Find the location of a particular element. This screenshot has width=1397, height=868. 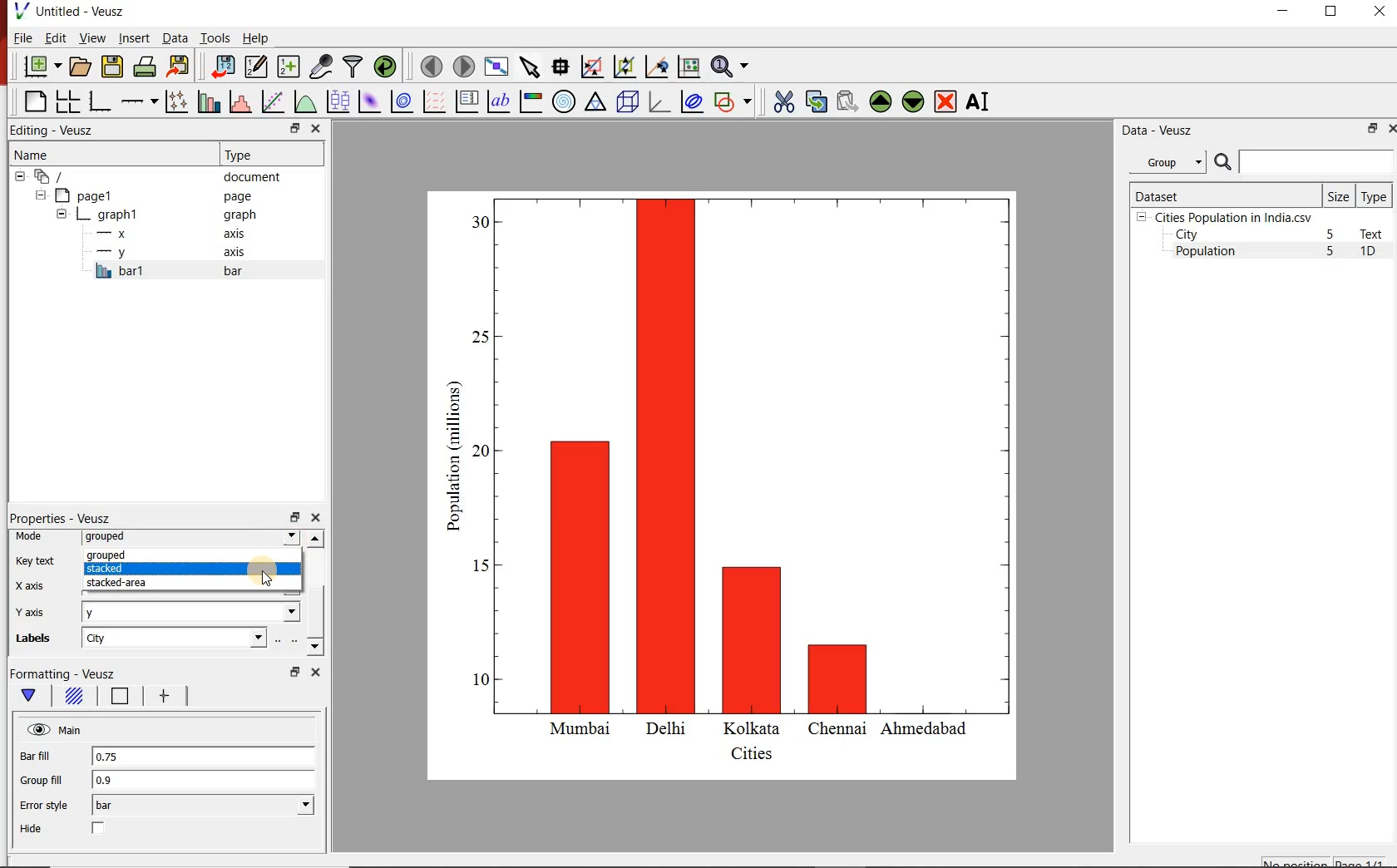

click to zoom out of graph axes is located at coordinates (622, 68).